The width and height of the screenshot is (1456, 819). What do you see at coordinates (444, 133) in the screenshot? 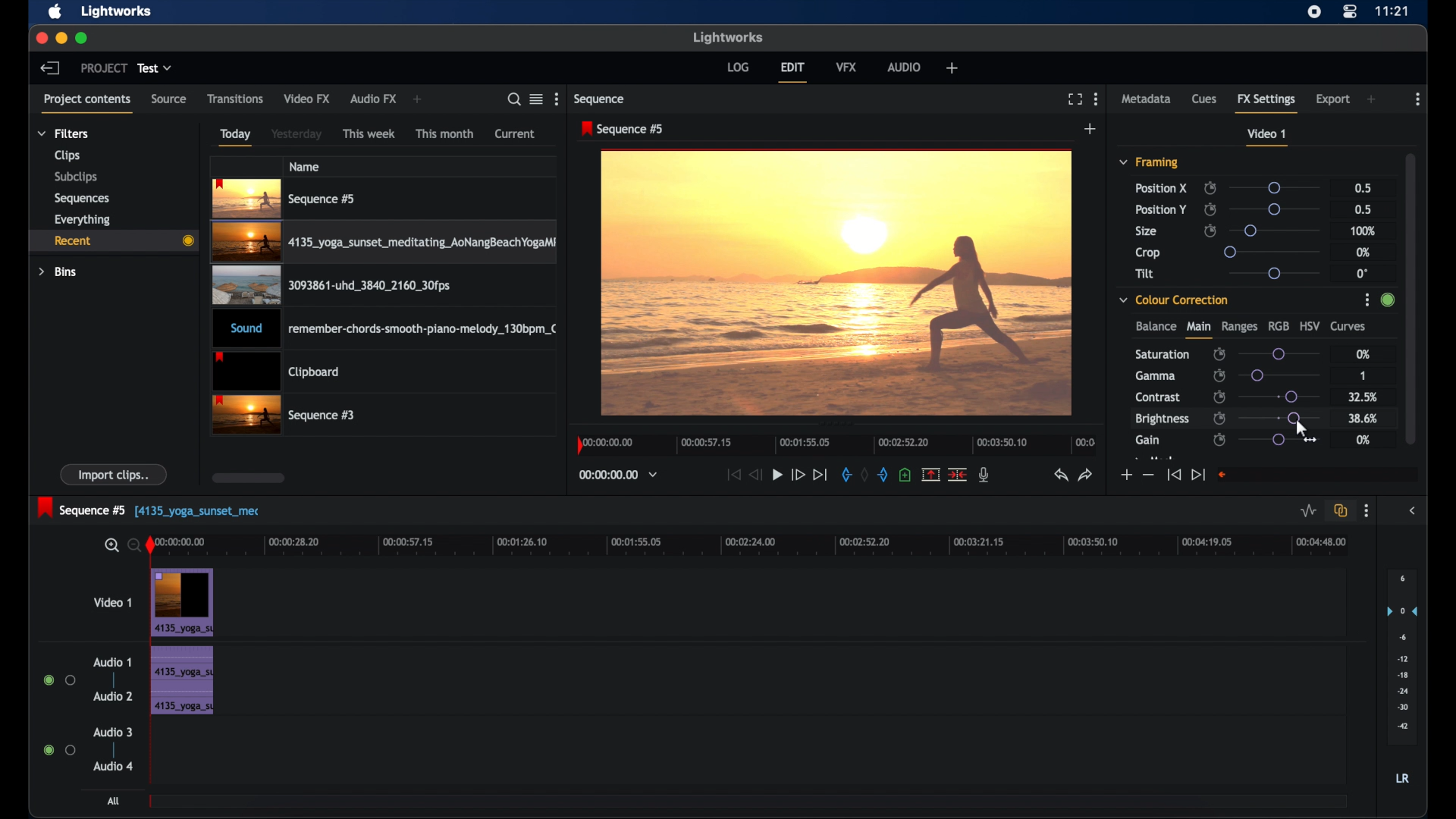
I see `this month` at bounding box center [444, 133].